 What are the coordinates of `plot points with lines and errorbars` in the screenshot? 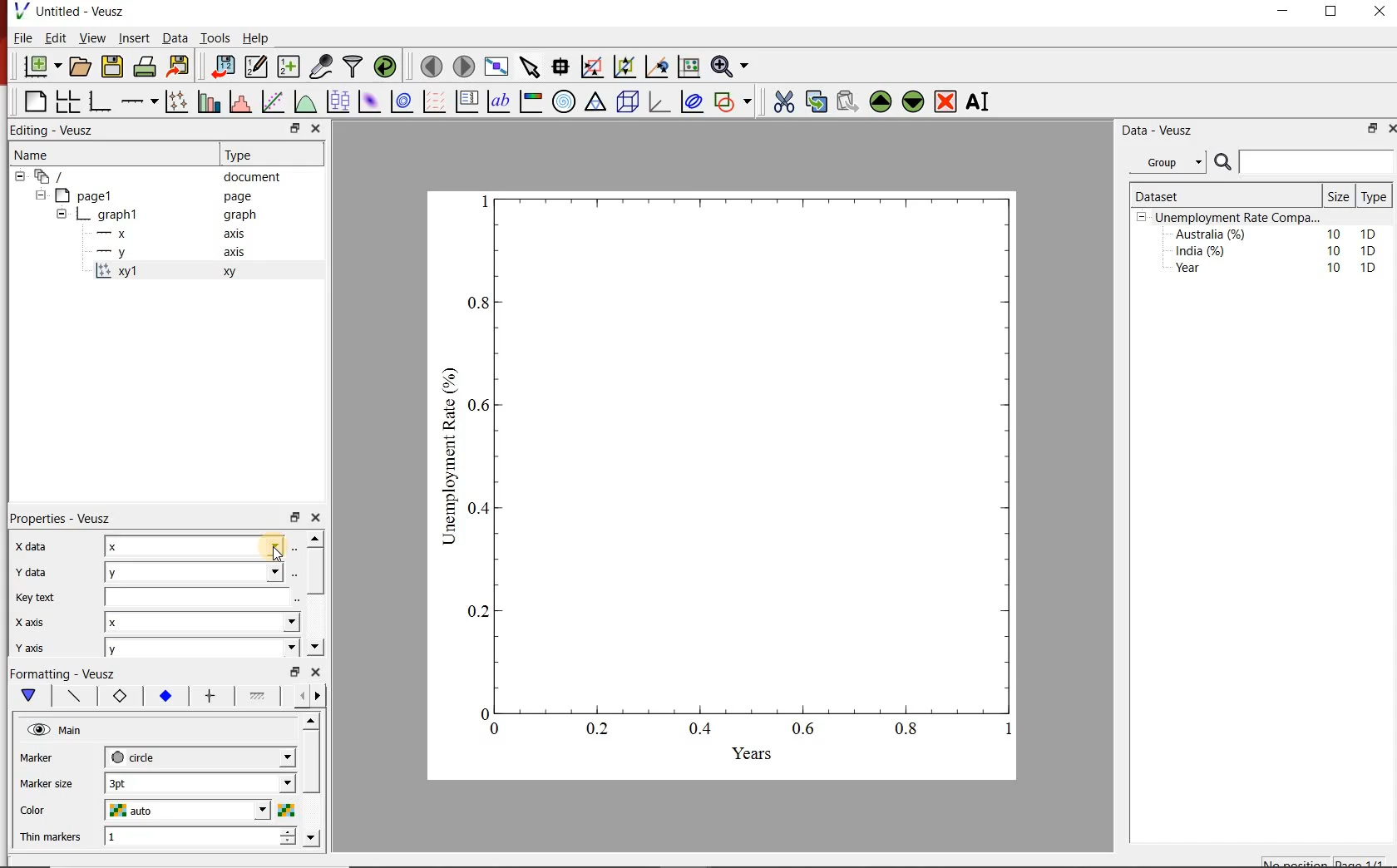 It's located at (176, 101).